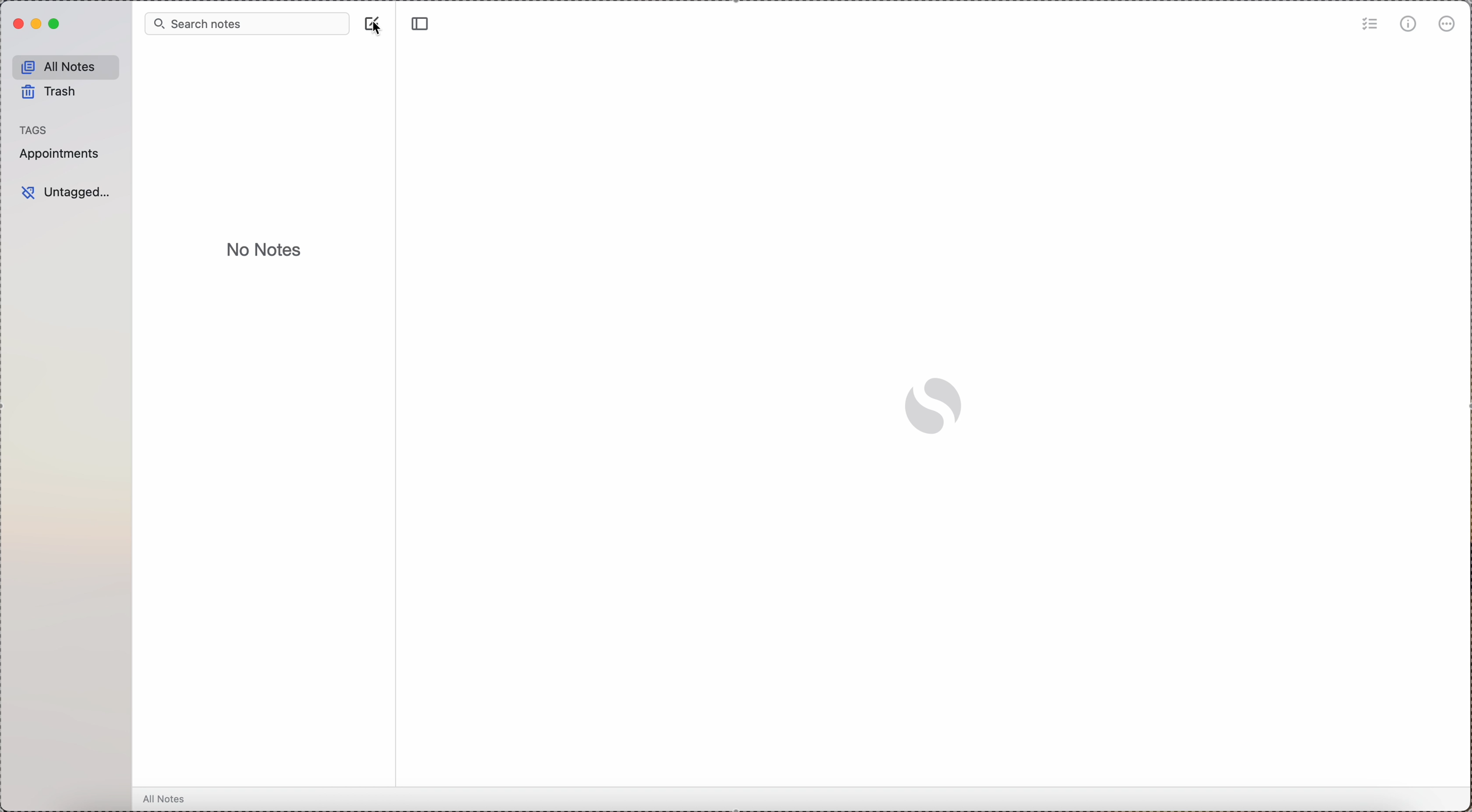 This screenshot has height=812, width=1472. What do you see at coordinates (245, 23) in the screenshot?
I see `search bar` at bounding box center [245, 23].